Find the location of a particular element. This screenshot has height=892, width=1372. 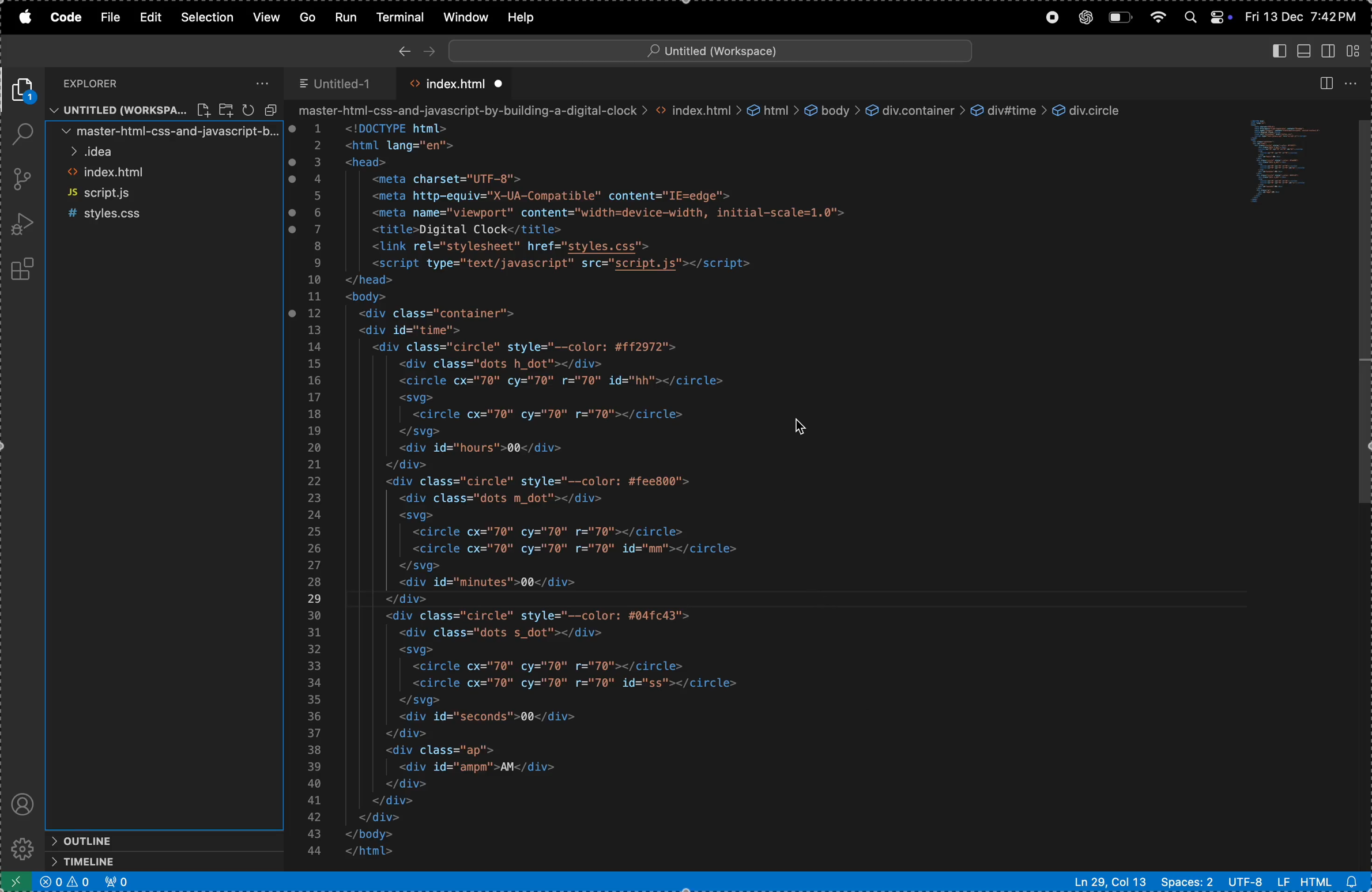

file is located at coordinates (110, 18).